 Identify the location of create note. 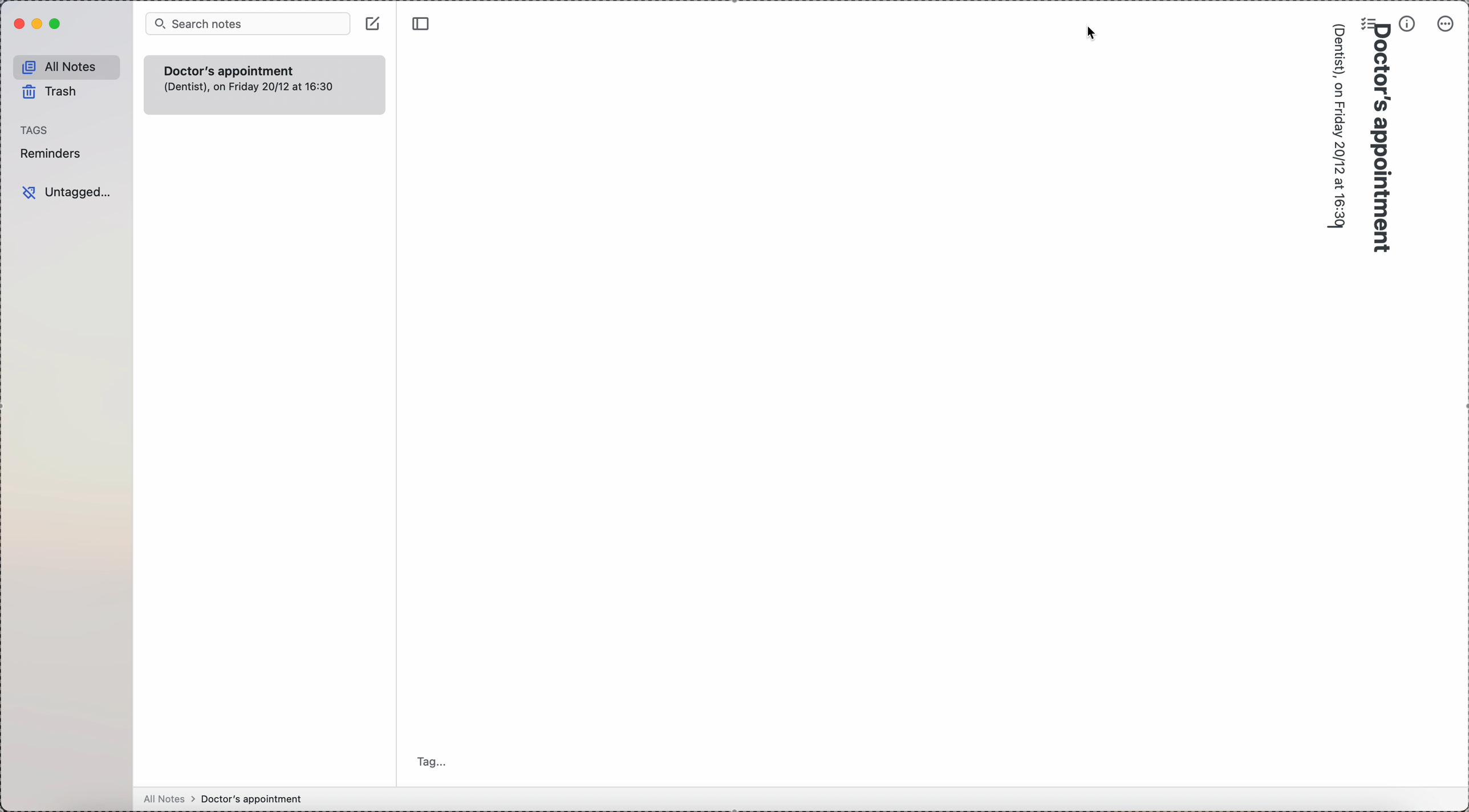
(372, 23).